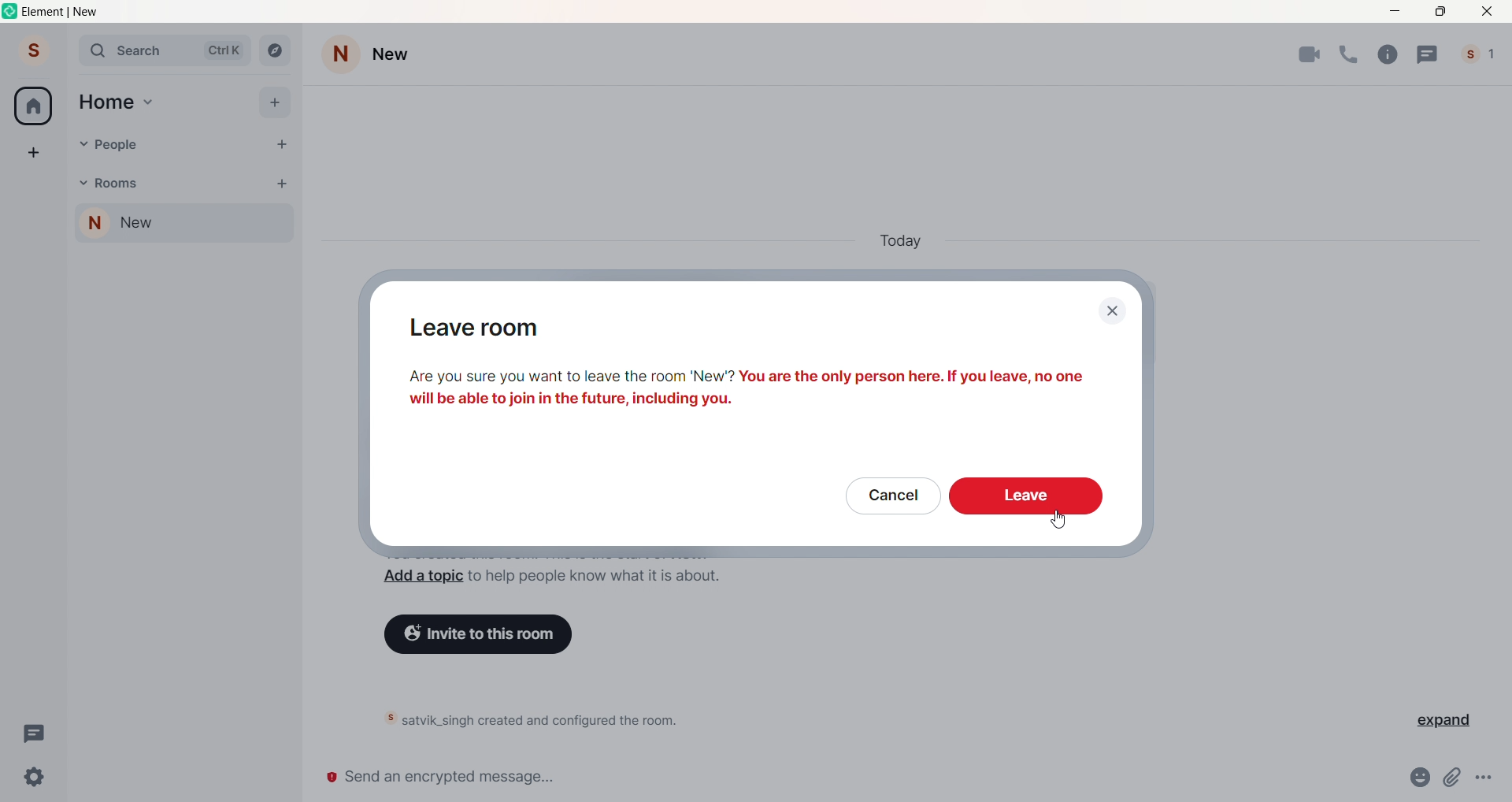 Image resolution: width=1512 pixels, height=802 pixels. I want to click on Video, so click(1310, 55).